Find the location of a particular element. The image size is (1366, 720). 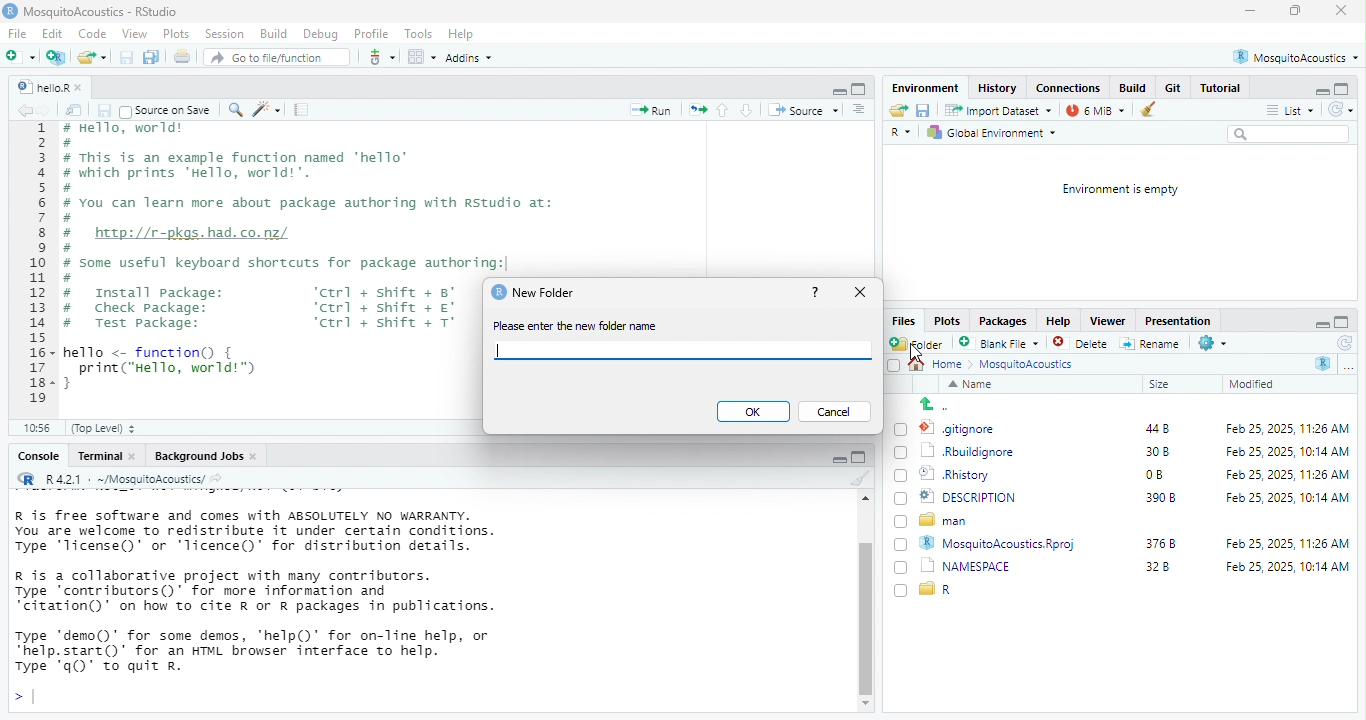

blank file is located at coordinates (999, 343).